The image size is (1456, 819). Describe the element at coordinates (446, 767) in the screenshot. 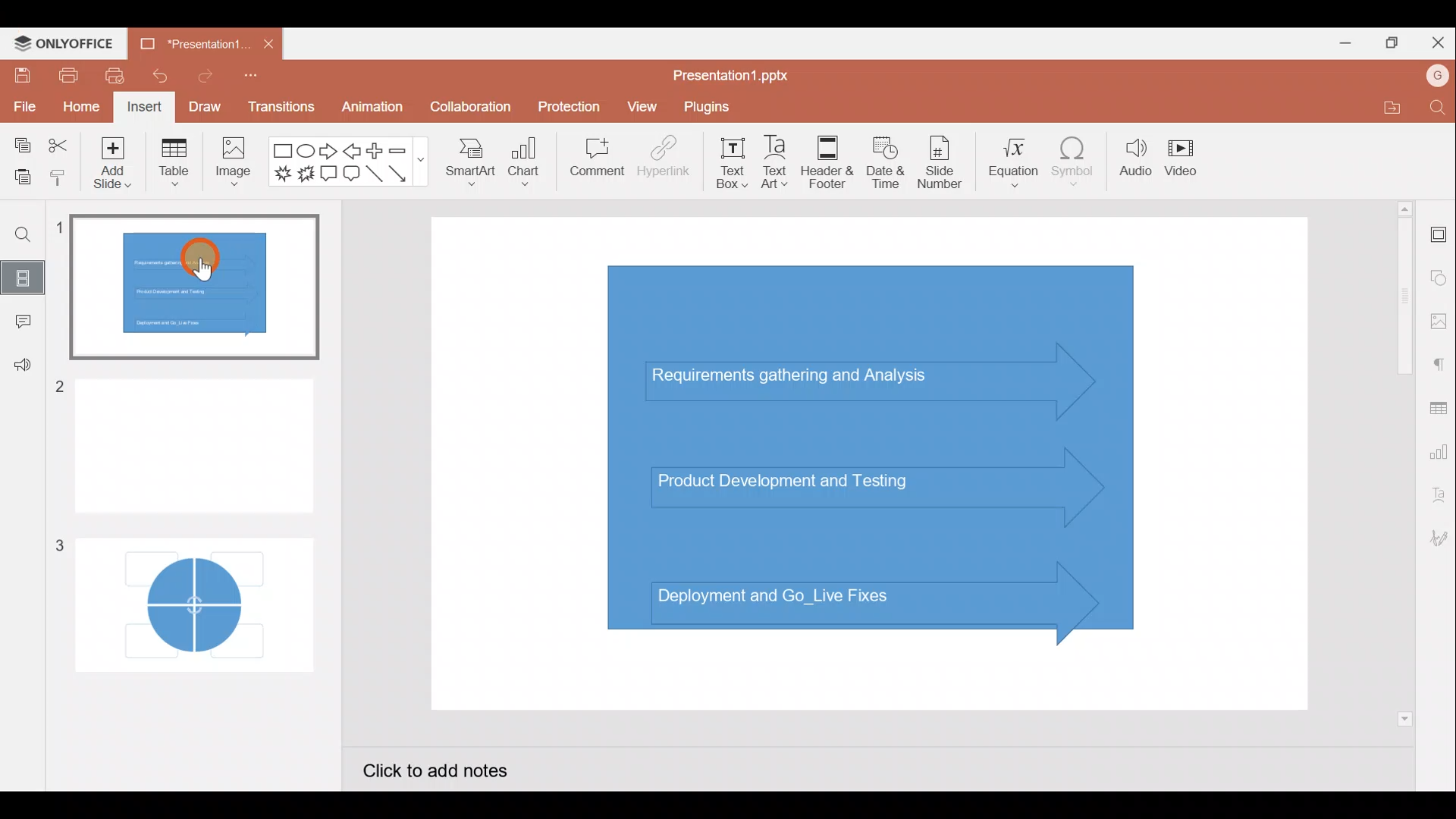

I see `Click to add notes` at that location.